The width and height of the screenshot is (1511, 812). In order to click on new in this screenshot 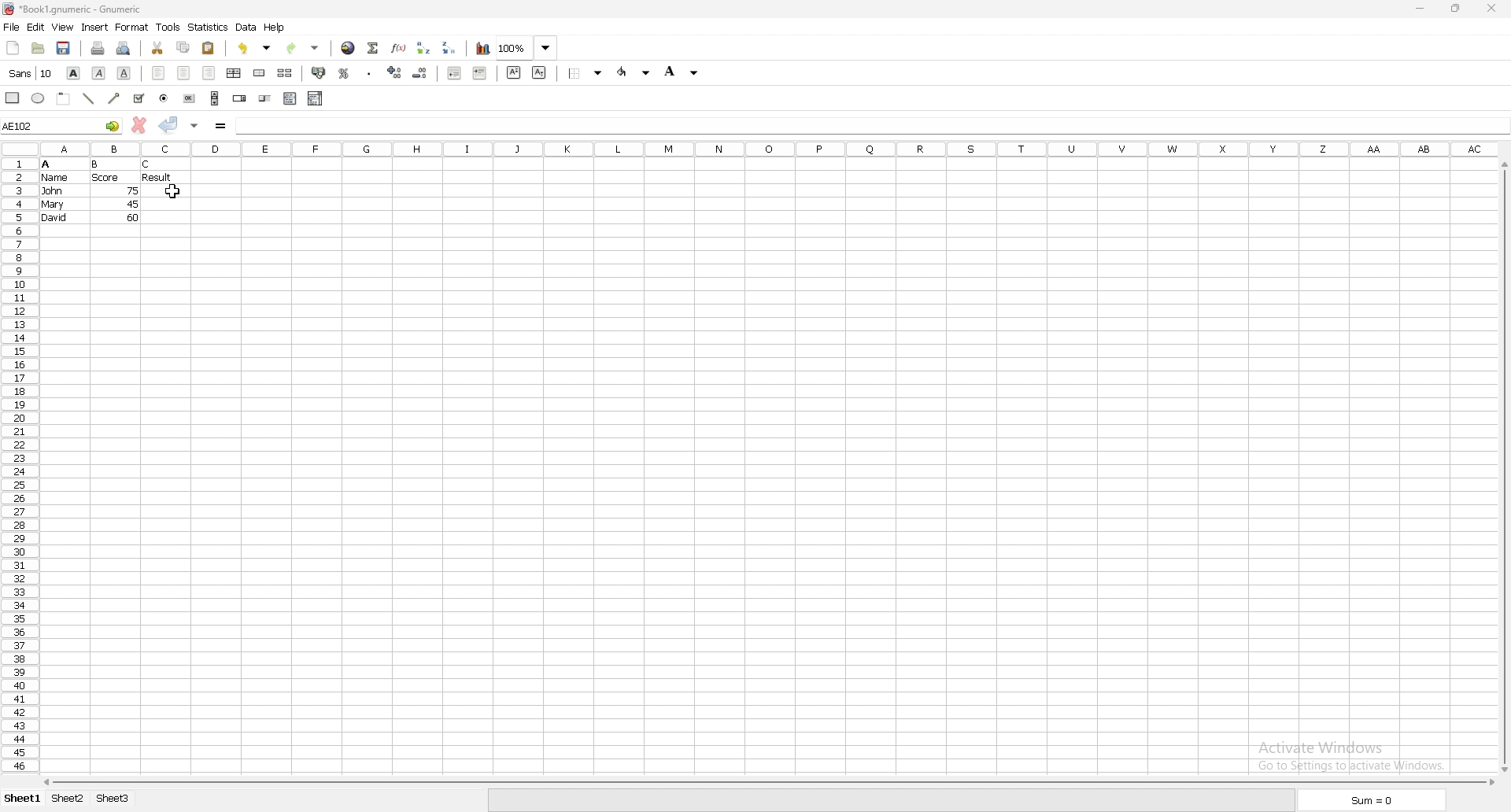, I will do `click(13, 48)`.